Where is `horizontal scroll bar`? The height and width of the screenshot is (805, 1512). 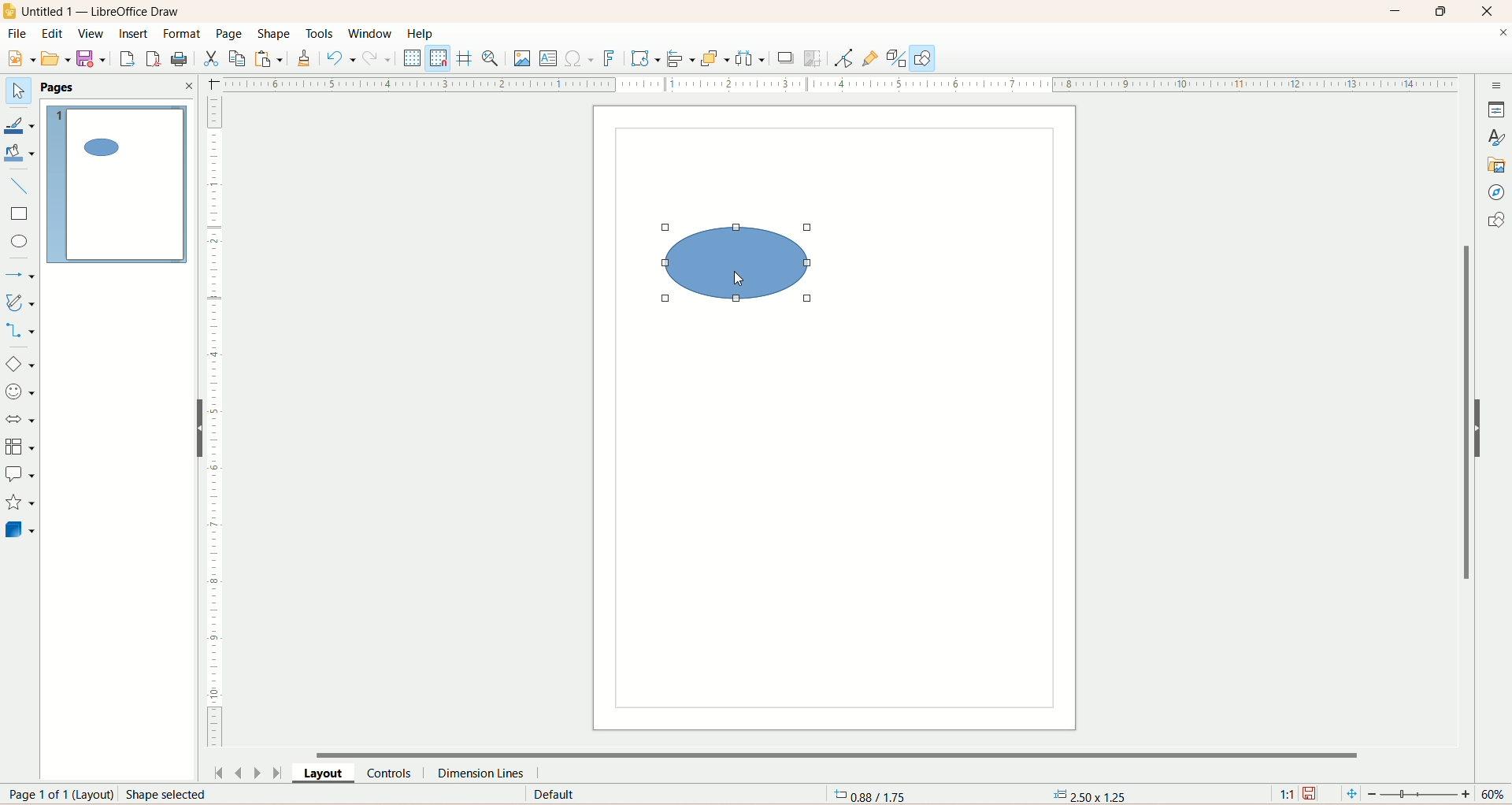
horizontal scroll bar is located at coordinates (843, 751).